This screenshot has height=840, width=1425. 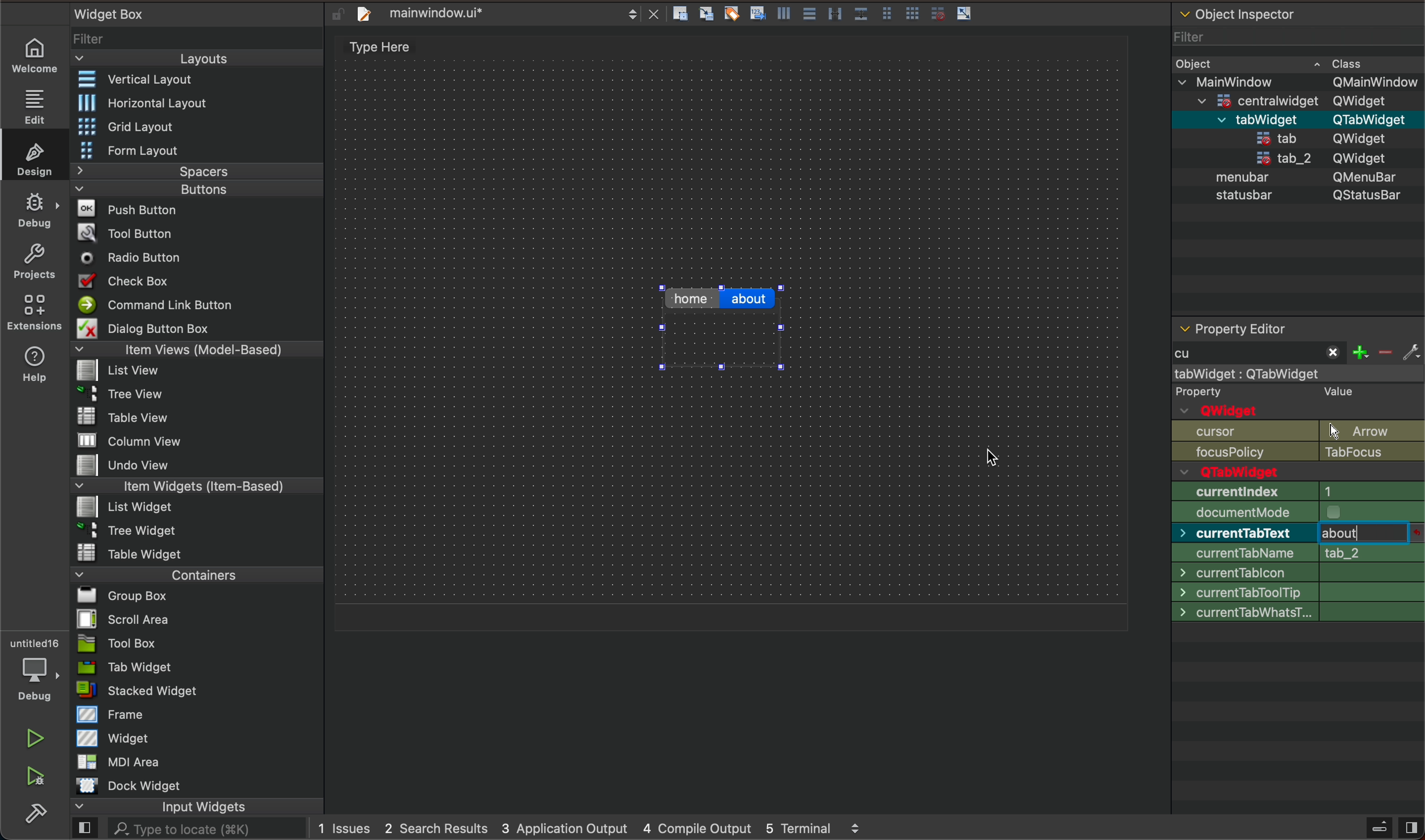 I want to click on Tab Widget, so click(x=129, y=666).